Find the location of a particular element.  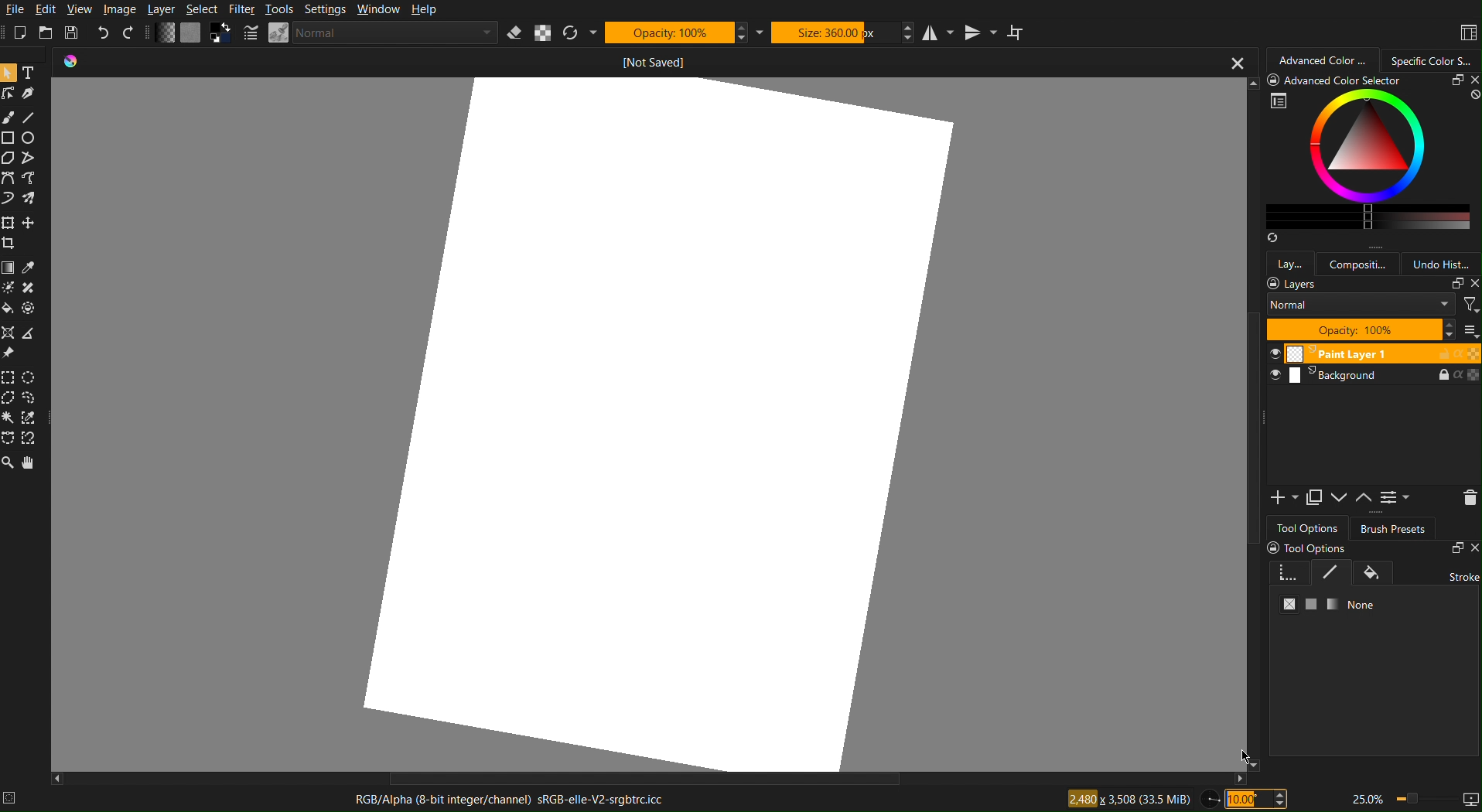

Square is located at coordinates (9, 136).